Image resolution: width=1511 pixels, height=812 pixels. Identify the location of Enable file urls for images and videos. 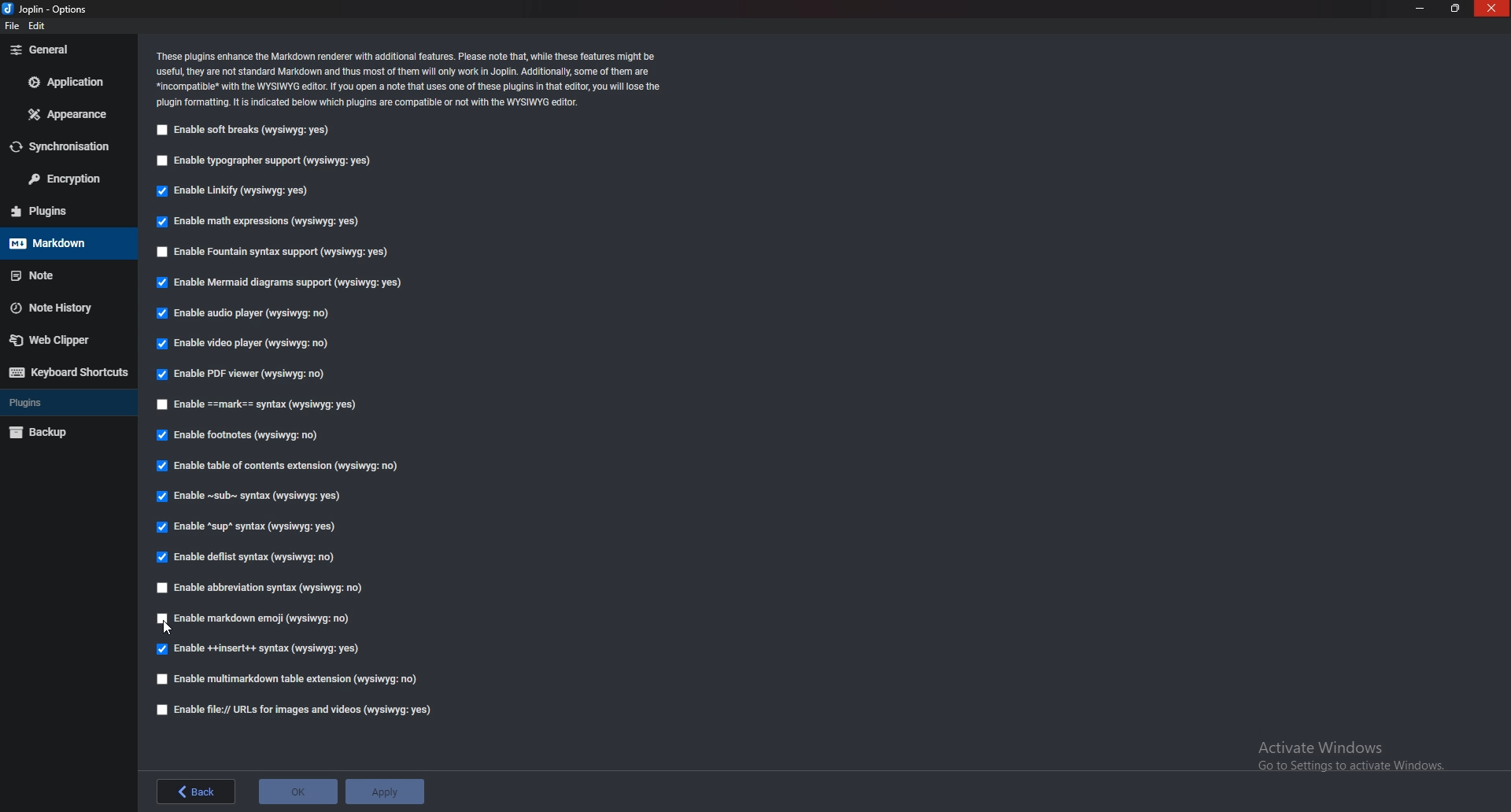
(300, 710).